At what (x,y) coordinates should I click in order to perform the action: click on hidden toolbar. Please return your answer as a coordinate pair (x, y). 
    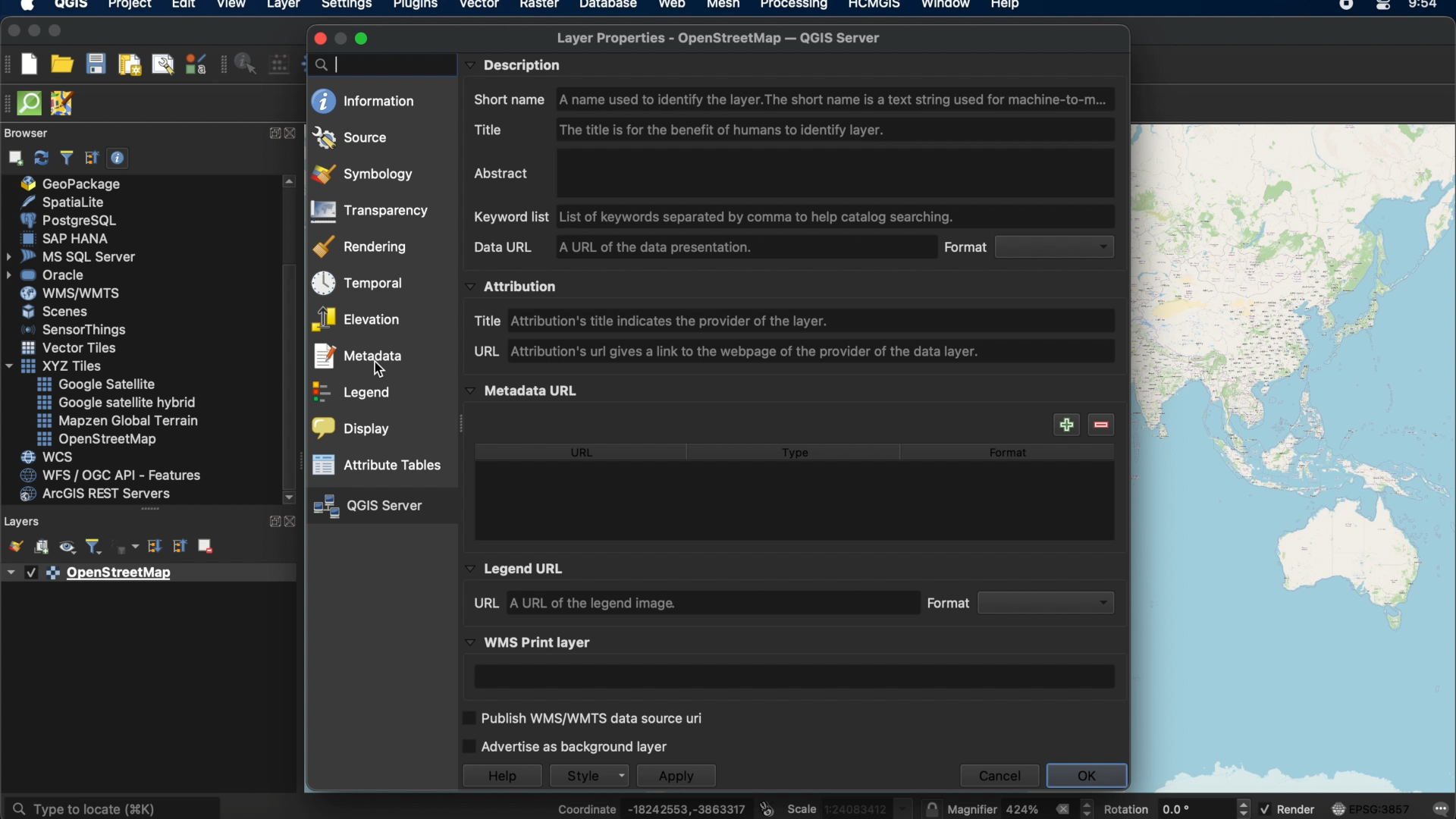
    Looking at the image, I should click on (9, 104).